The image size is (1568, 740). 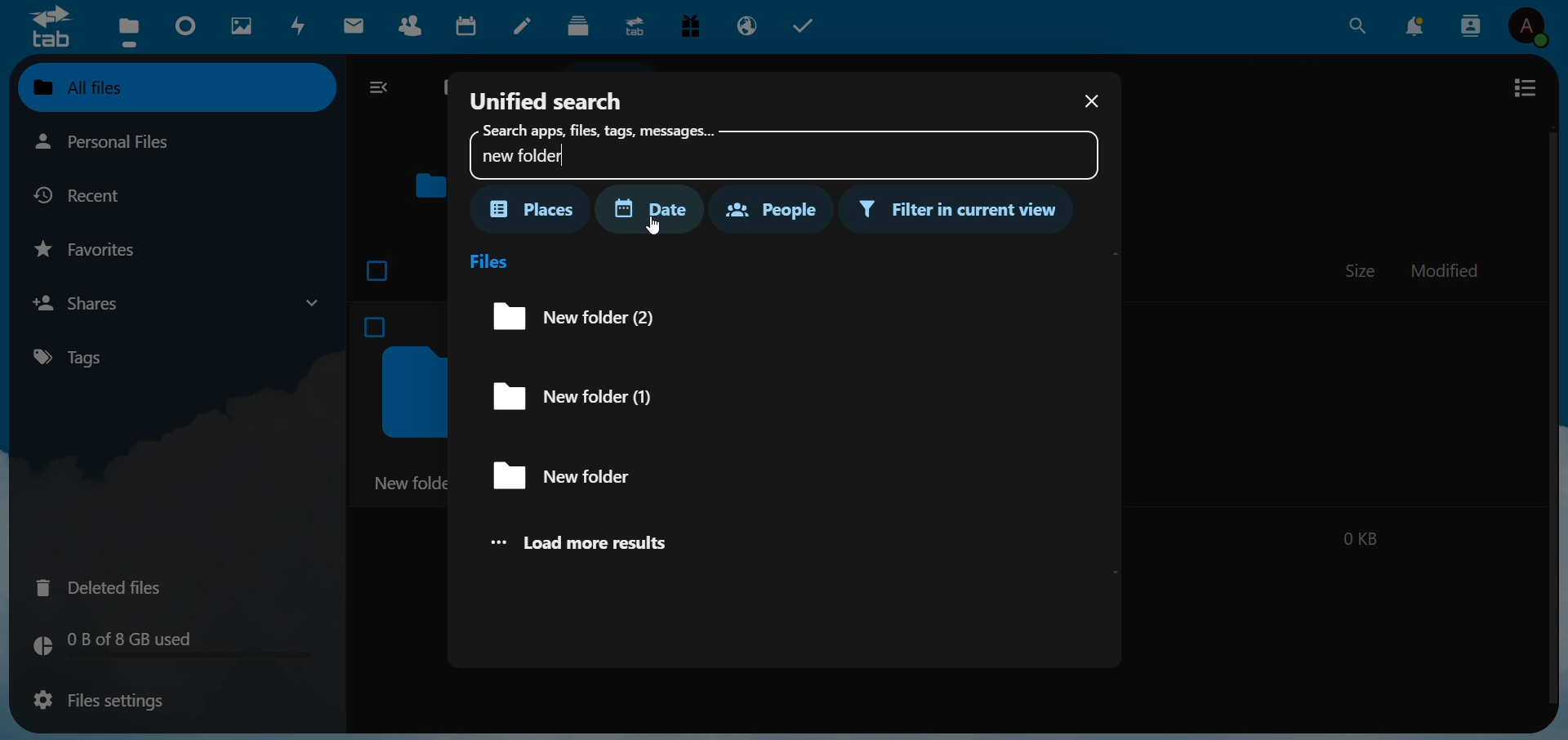 What do you see at coordinates (1550, 413) in the screenshot?
I see `scroll bar` at bounding box center [1550, 413].